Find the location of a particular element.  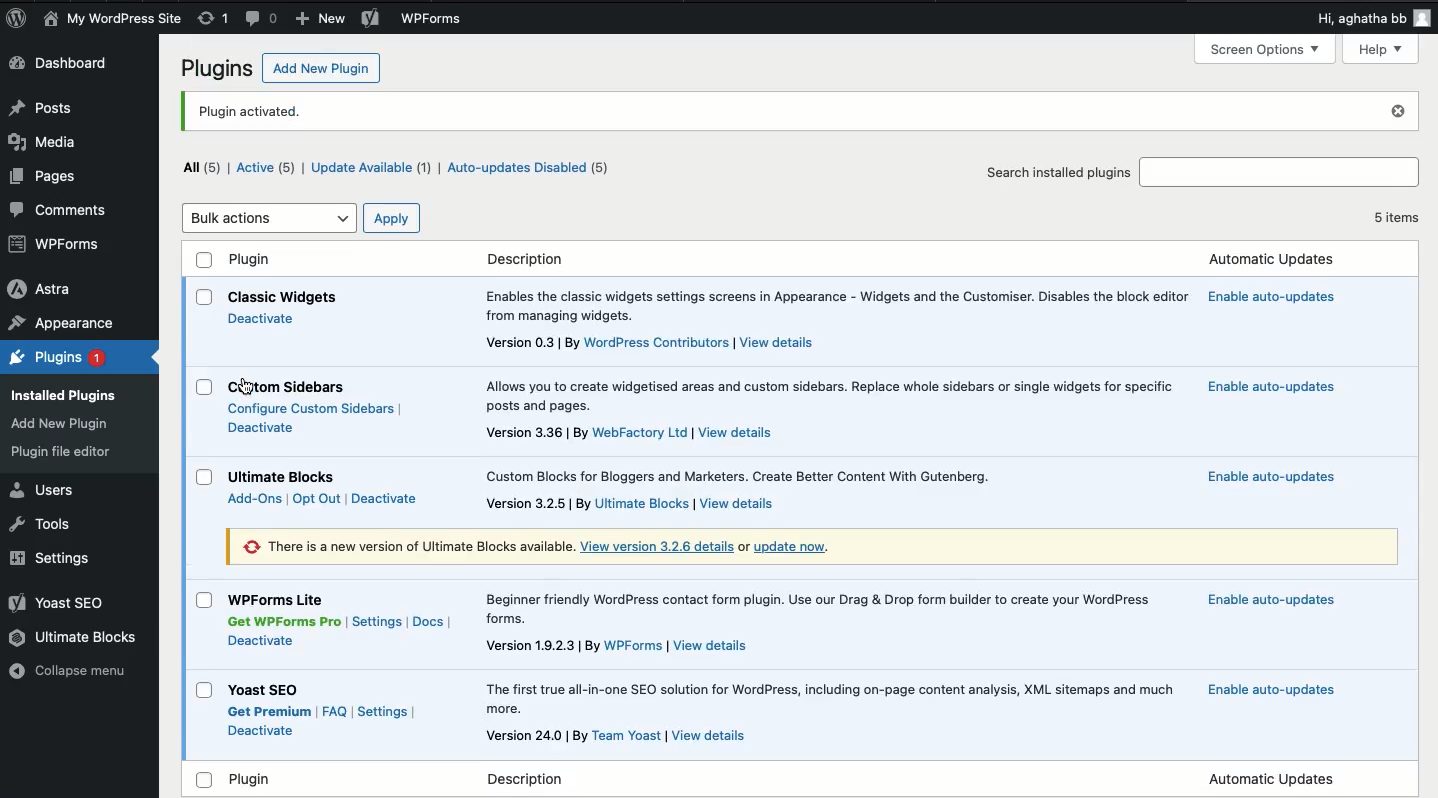

view details is located at coordinates (778, 344).